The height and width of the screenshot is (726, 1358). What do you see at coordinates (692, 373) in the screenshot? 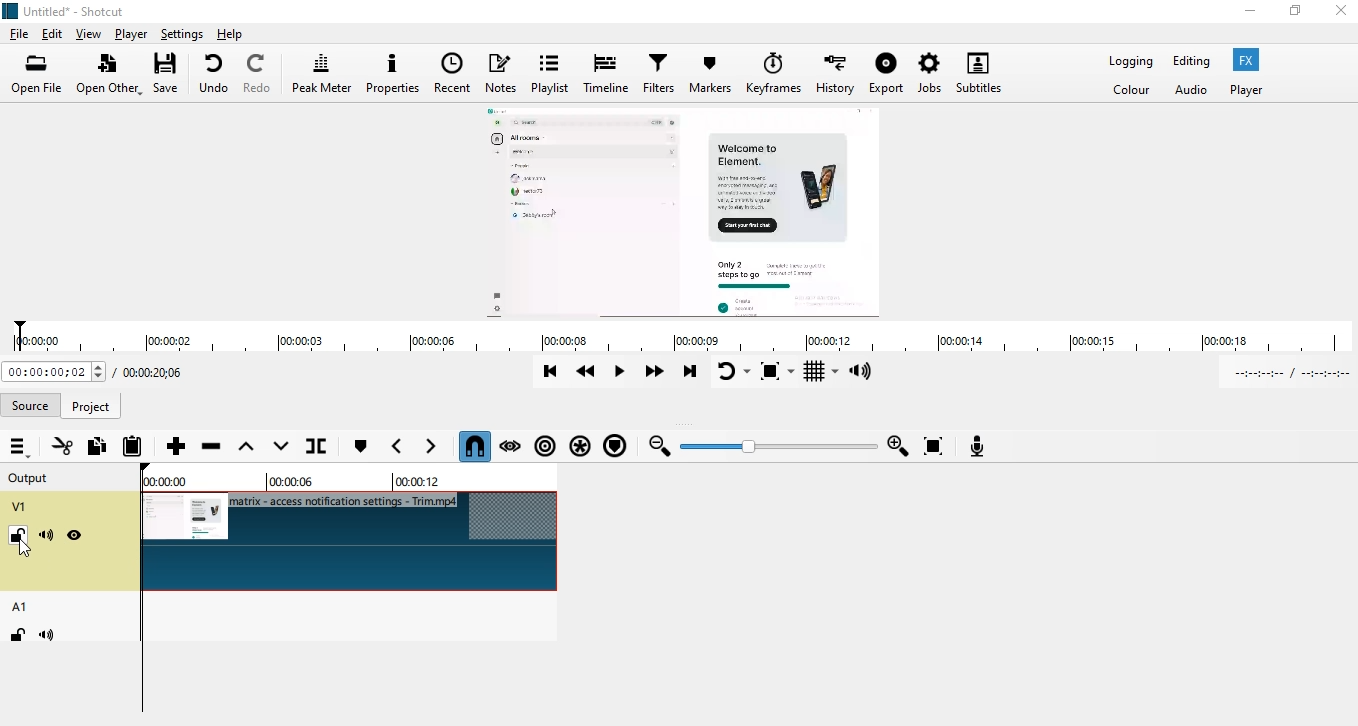
I see `Skip to the next point ` at bounding box center [692, 373].